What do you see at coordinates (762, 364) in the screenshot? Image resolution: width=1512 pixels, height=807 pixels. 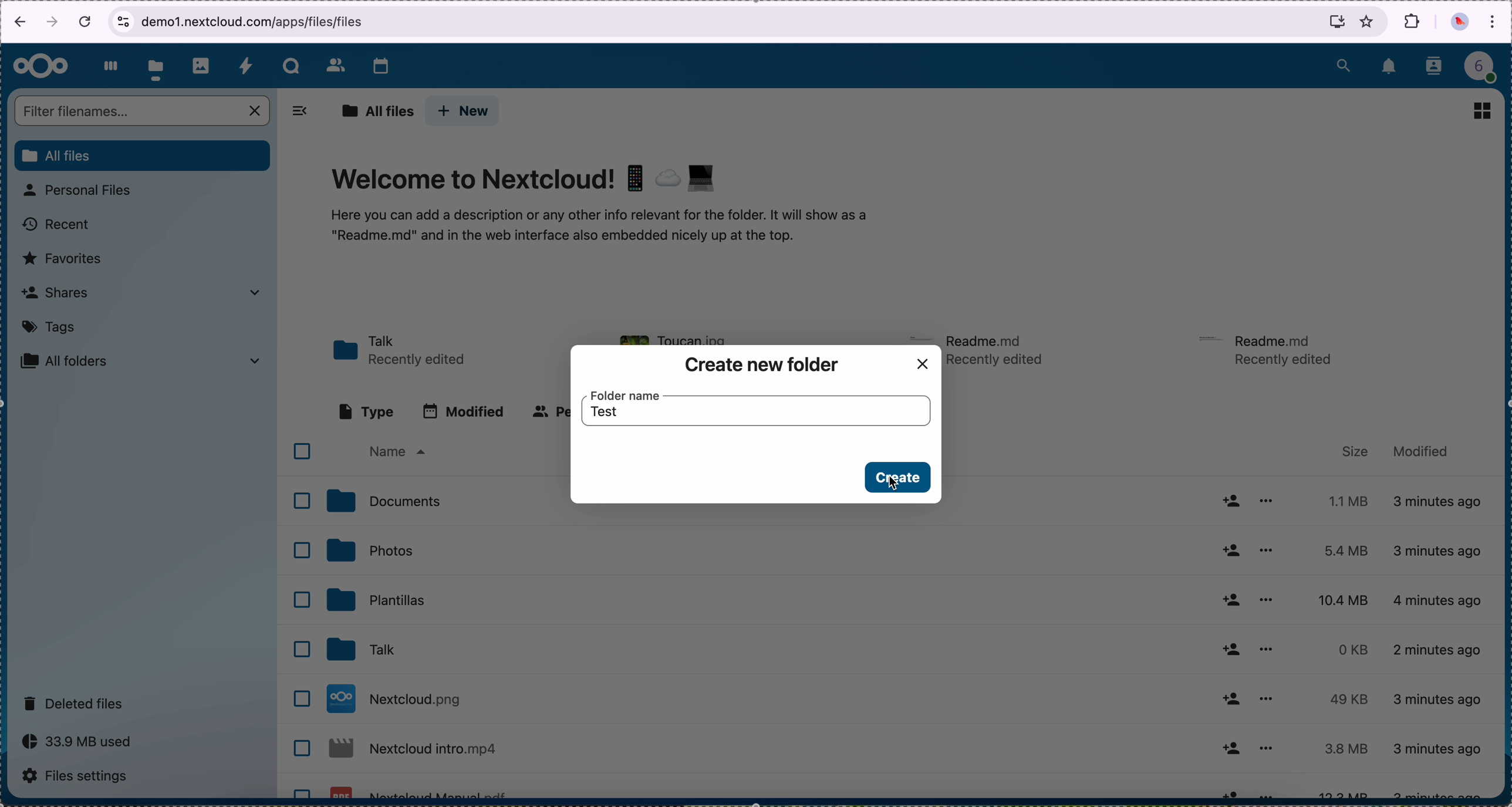 I see `create new folder` at bounding box center [762, 364].